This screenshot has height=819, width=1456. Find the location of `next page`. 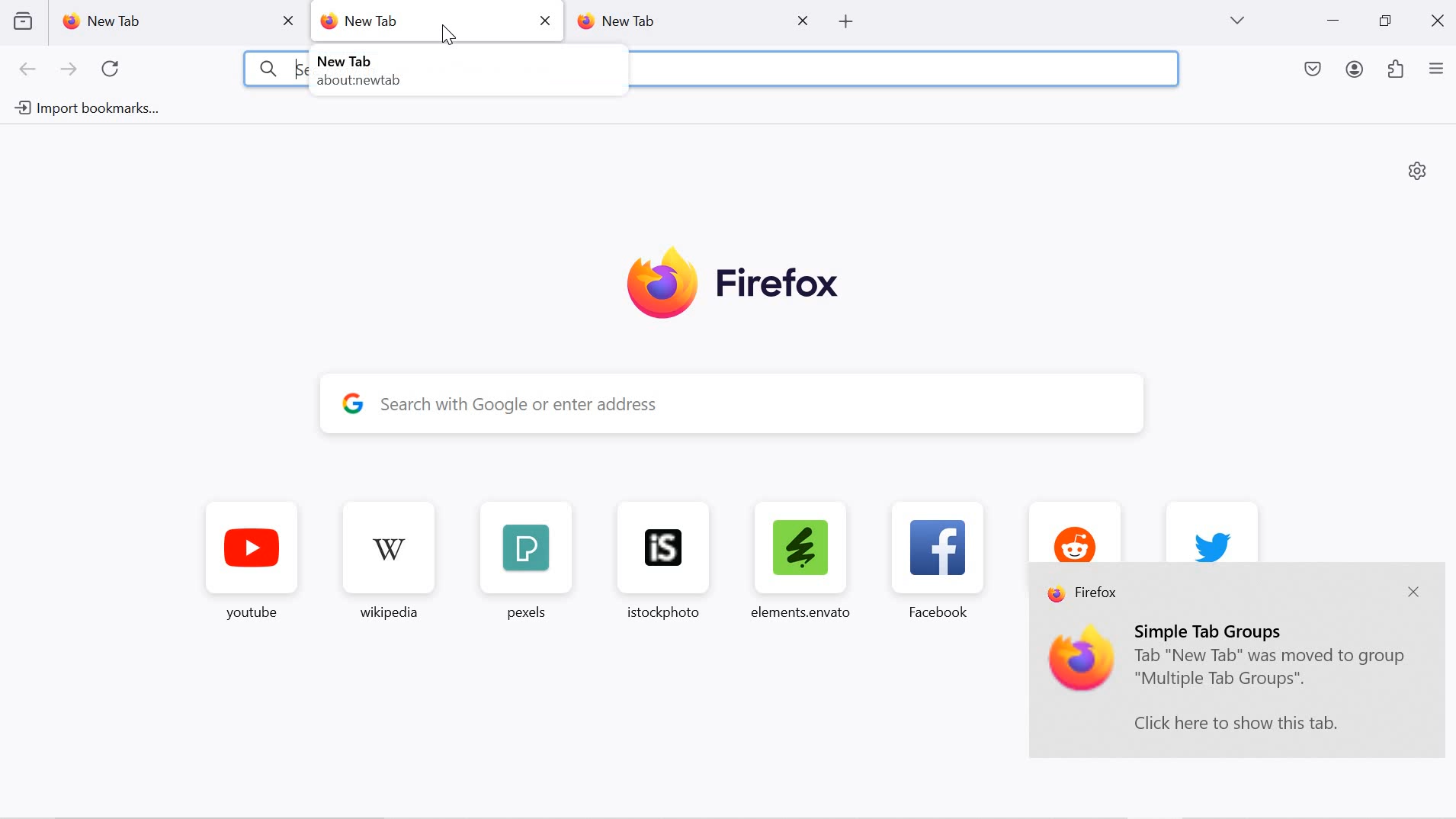

next page is located at coordinates (69, 70).